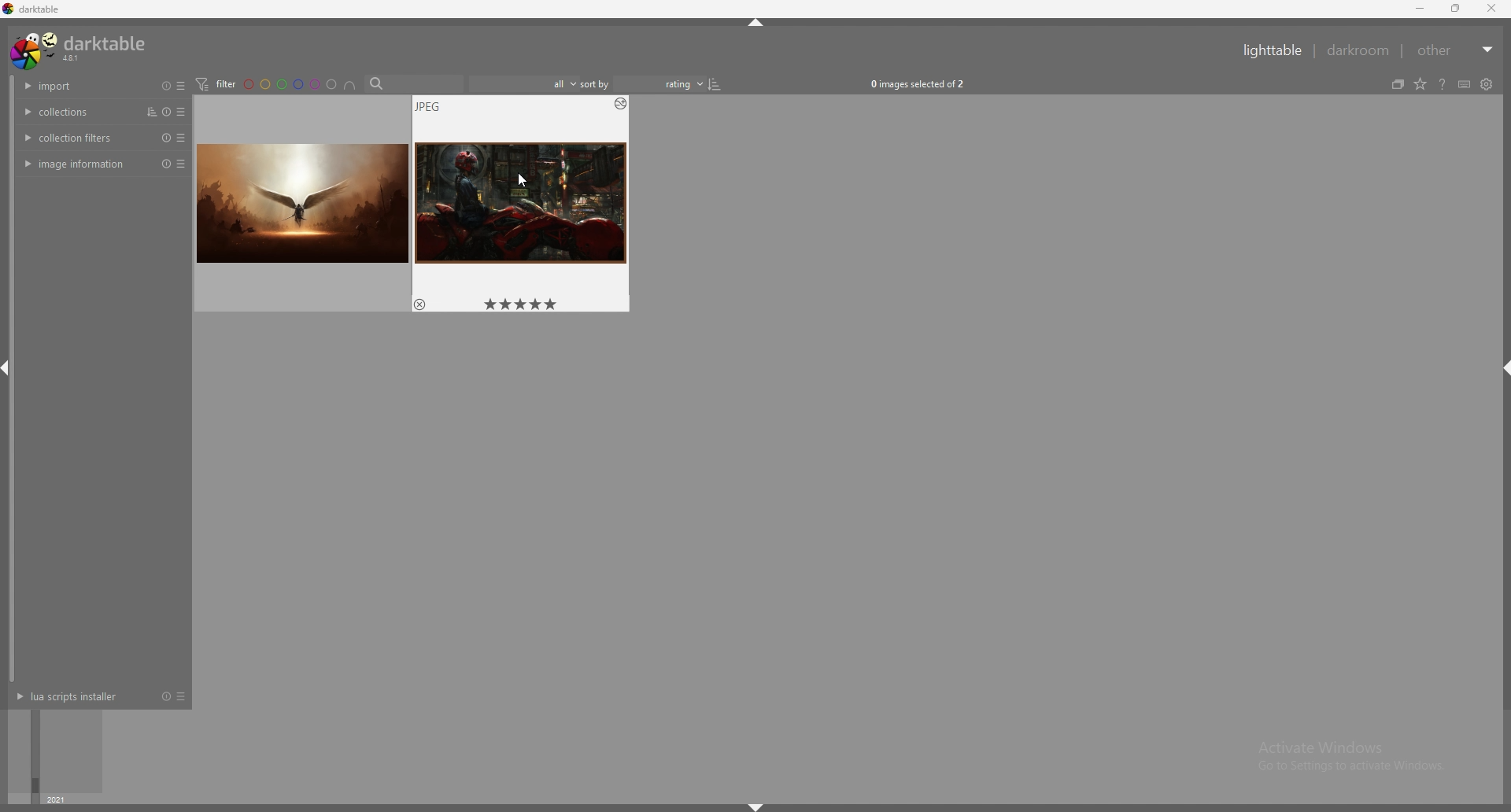 Image resolution: width=1511 pixels, height=812 pixels. Describe the element at coordinates (166, 164) in the screenshot. I see `reset` at that location.